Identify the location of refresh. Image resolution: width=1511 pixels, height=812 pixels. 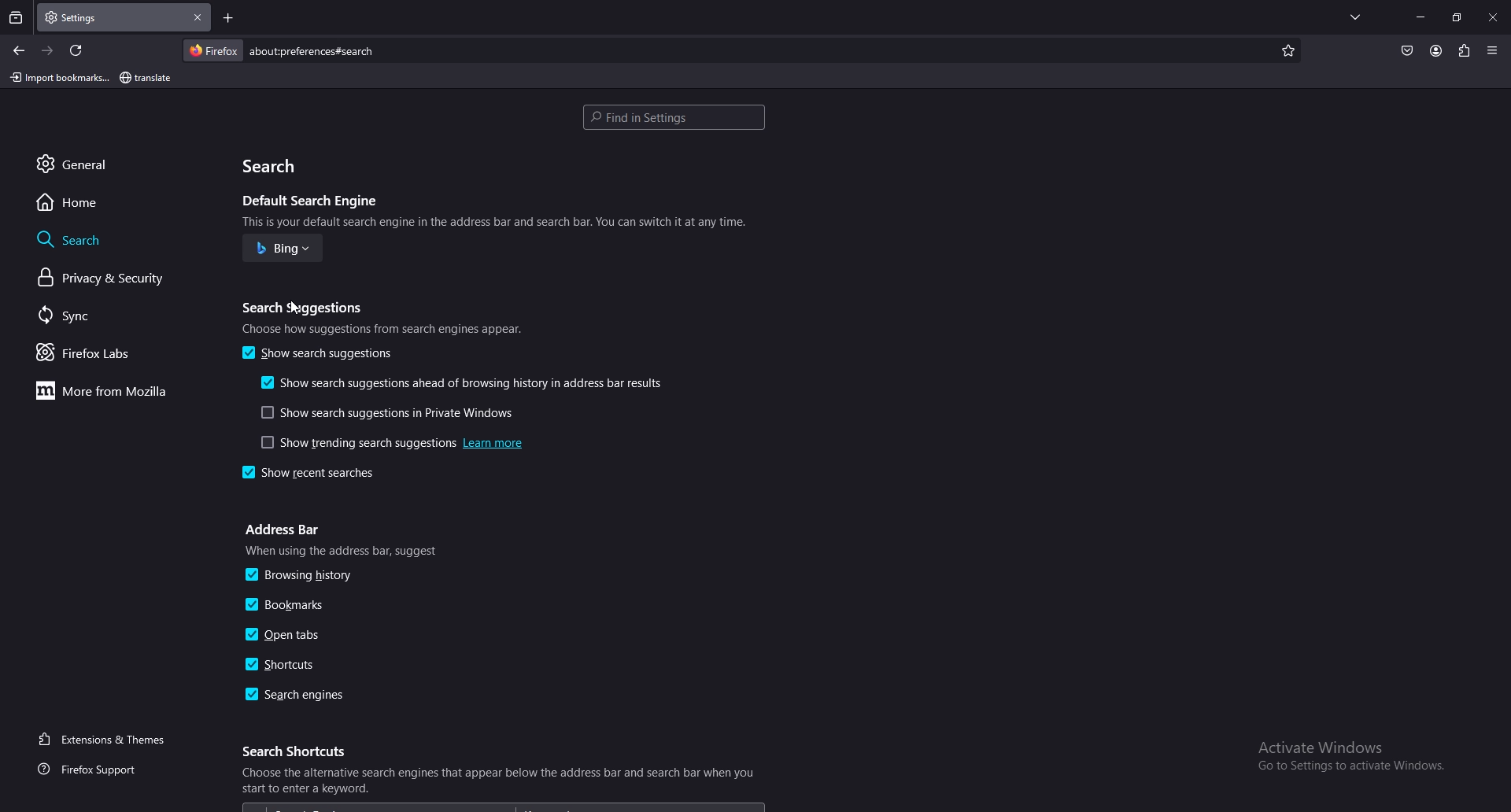
(79, 50).